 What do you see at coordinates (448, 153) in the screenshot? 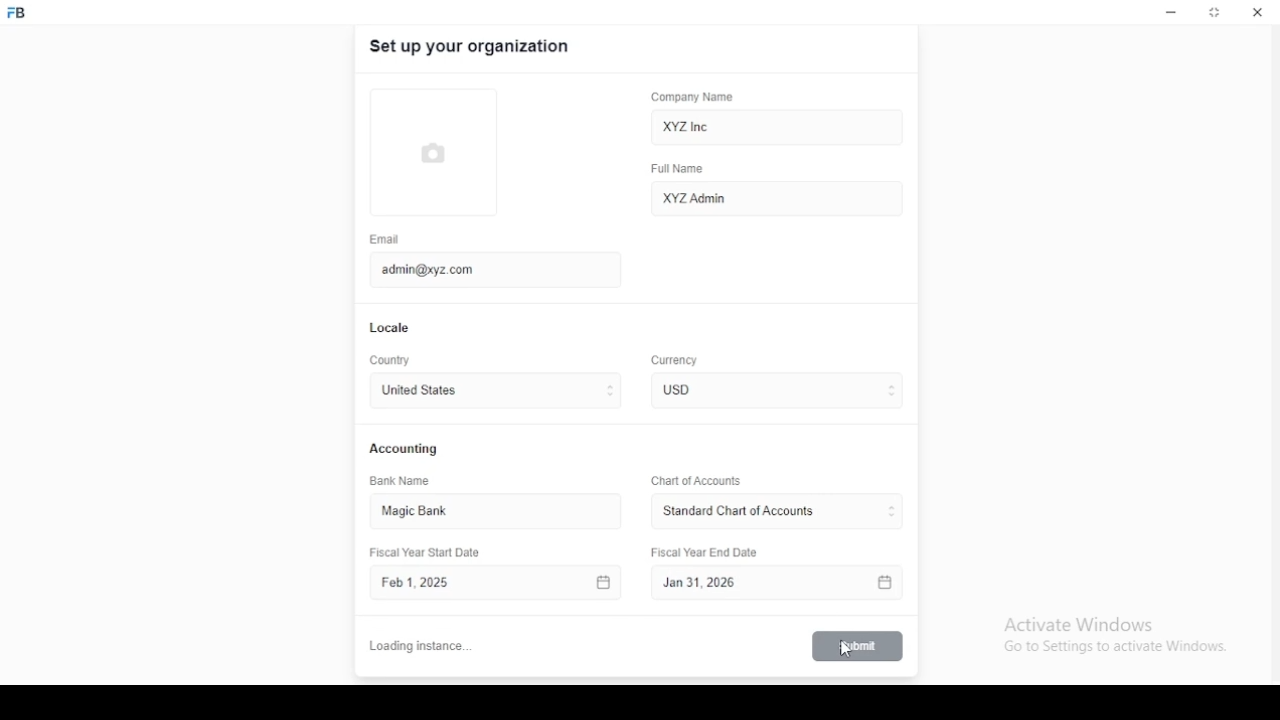
I see `logo tumbnail` at bounding box center [448, 153].